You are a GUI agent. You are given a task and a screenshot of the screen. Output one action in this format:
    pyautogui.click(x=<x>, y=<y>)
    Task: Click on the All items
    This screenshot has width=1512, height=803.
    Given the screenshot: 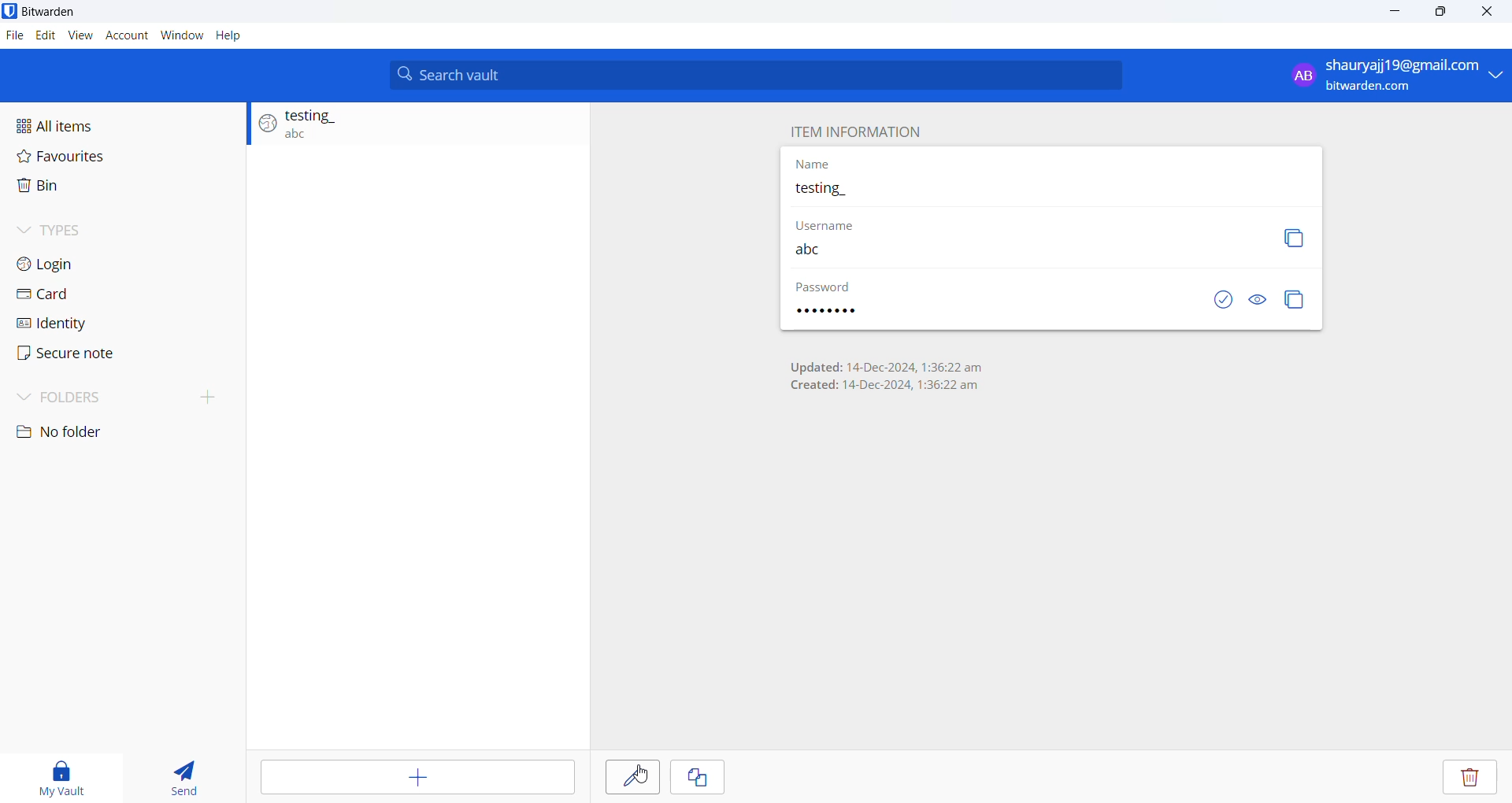 What is the action you would take?
    pyautogui.click(x=121, y=121)
    